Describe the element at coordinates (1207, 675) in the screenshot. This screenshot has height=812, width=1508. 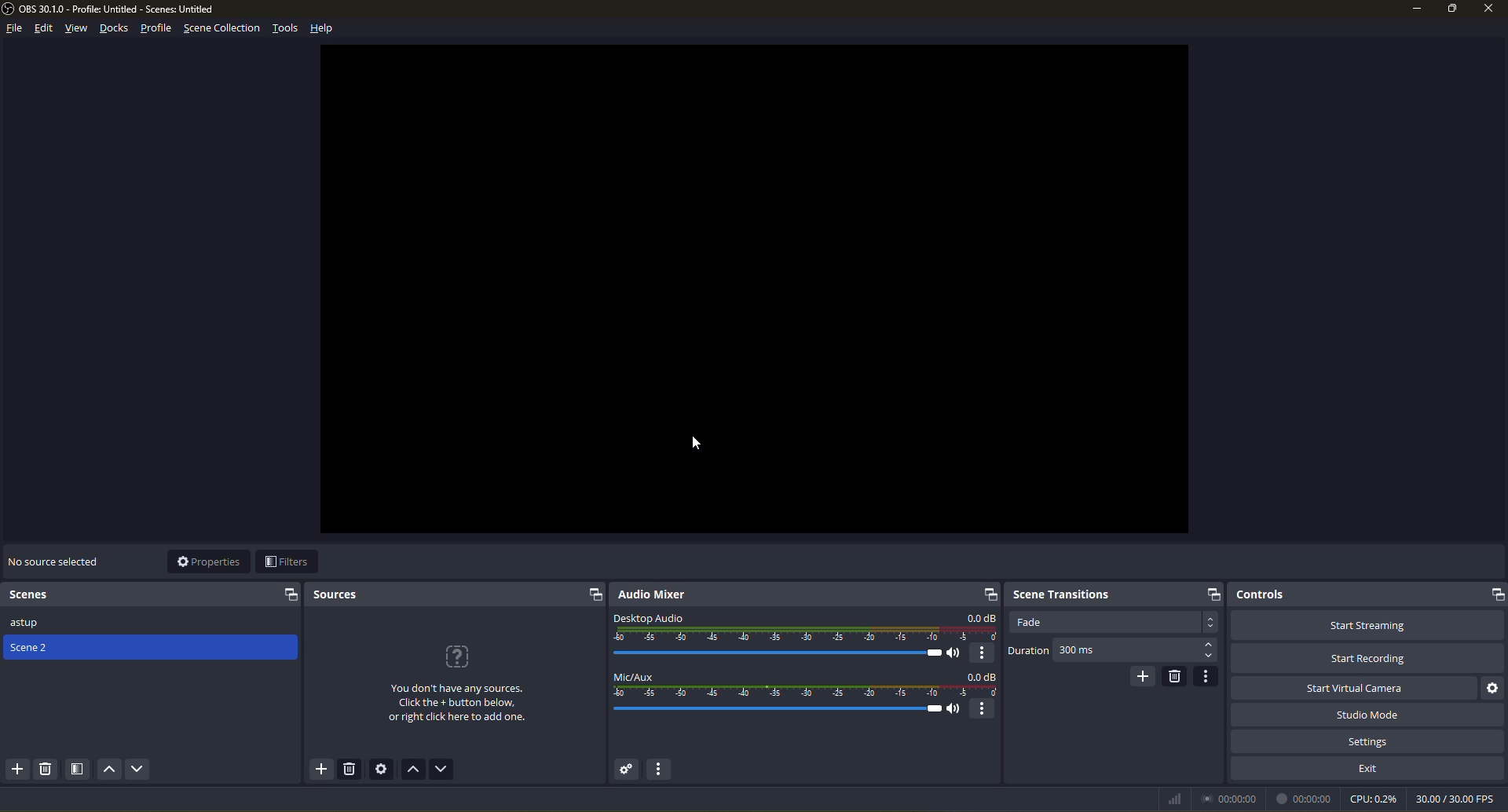
I see `transition properties` at that location.